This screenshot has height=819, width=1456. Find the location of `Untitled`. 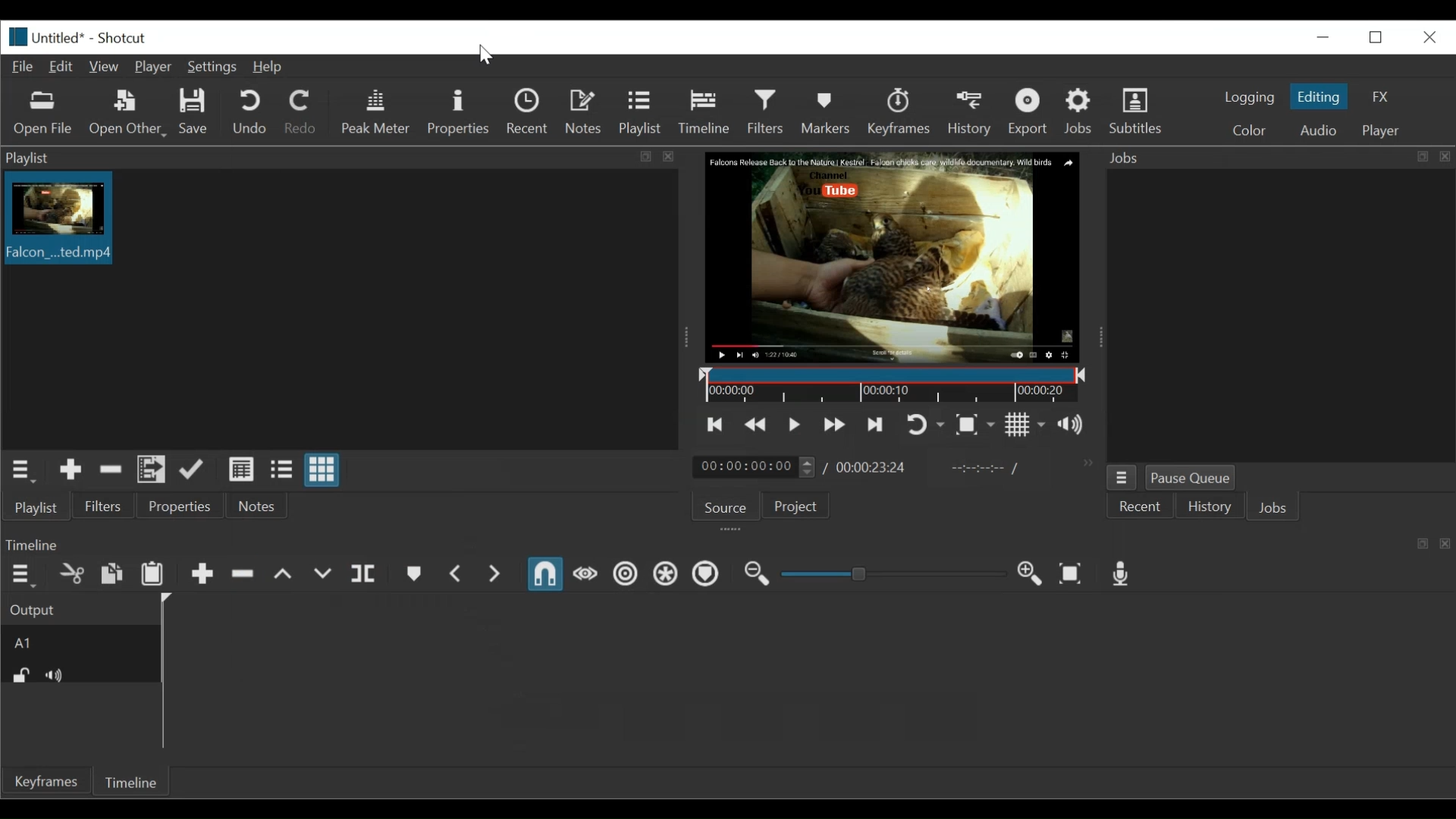

Untitled is located at coordinates (42, 37).